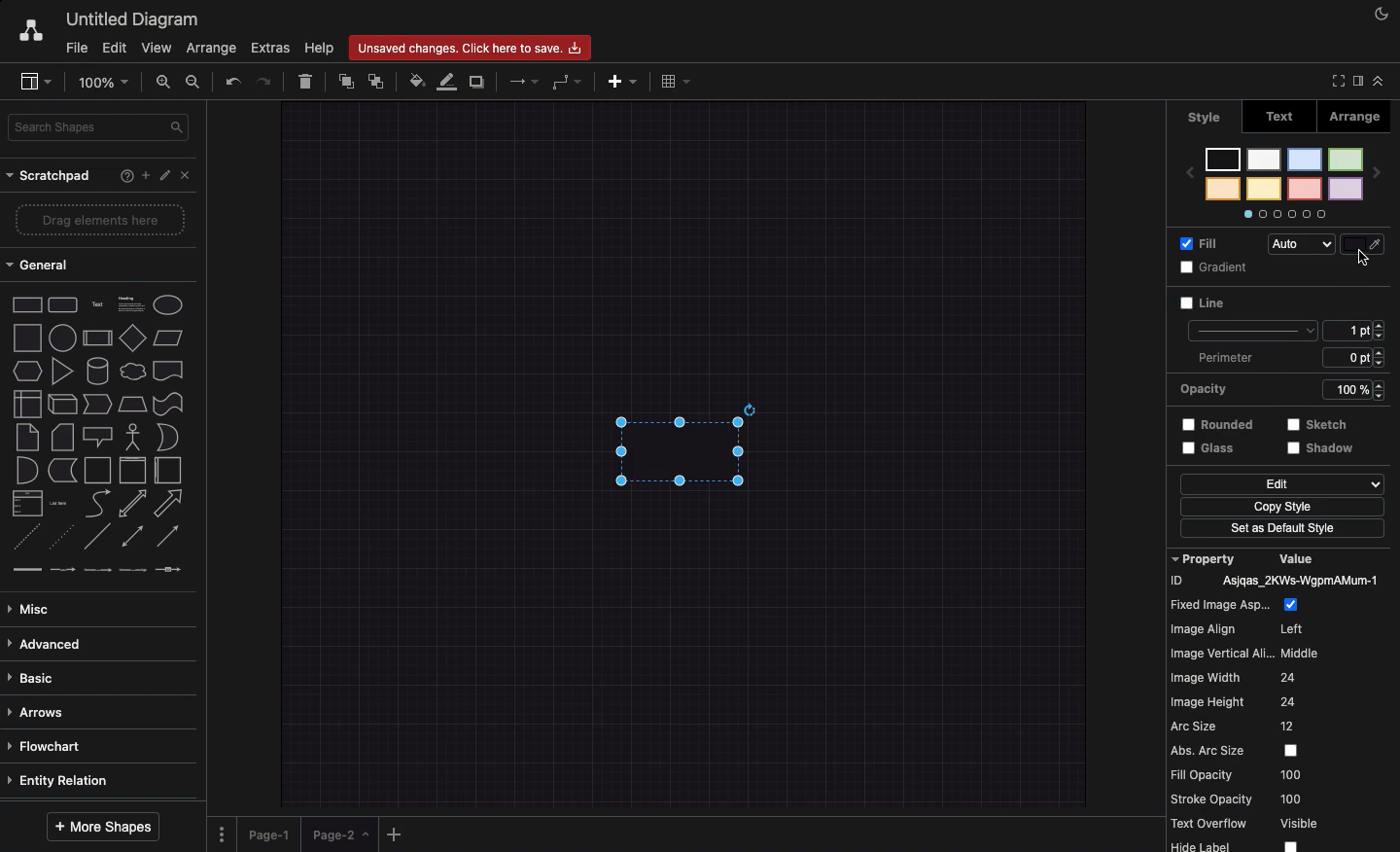 This screenshot has width=1400, height=852. I want to click on Entity relation, so click(62, 778).